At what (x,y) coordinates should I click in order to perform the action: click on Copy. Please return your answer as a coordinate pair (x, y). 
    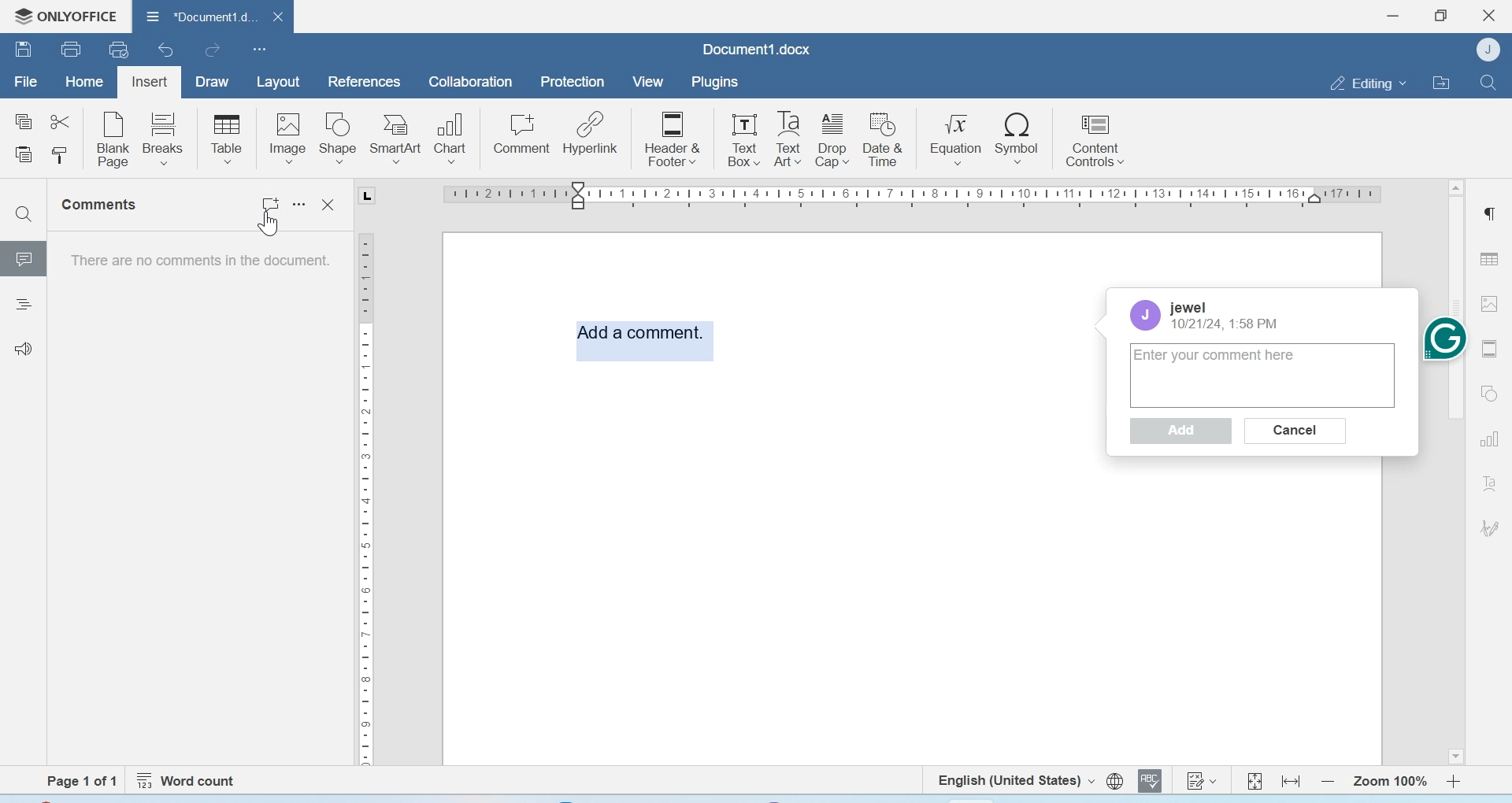
    Looking at the image, I should click on (24, 122).